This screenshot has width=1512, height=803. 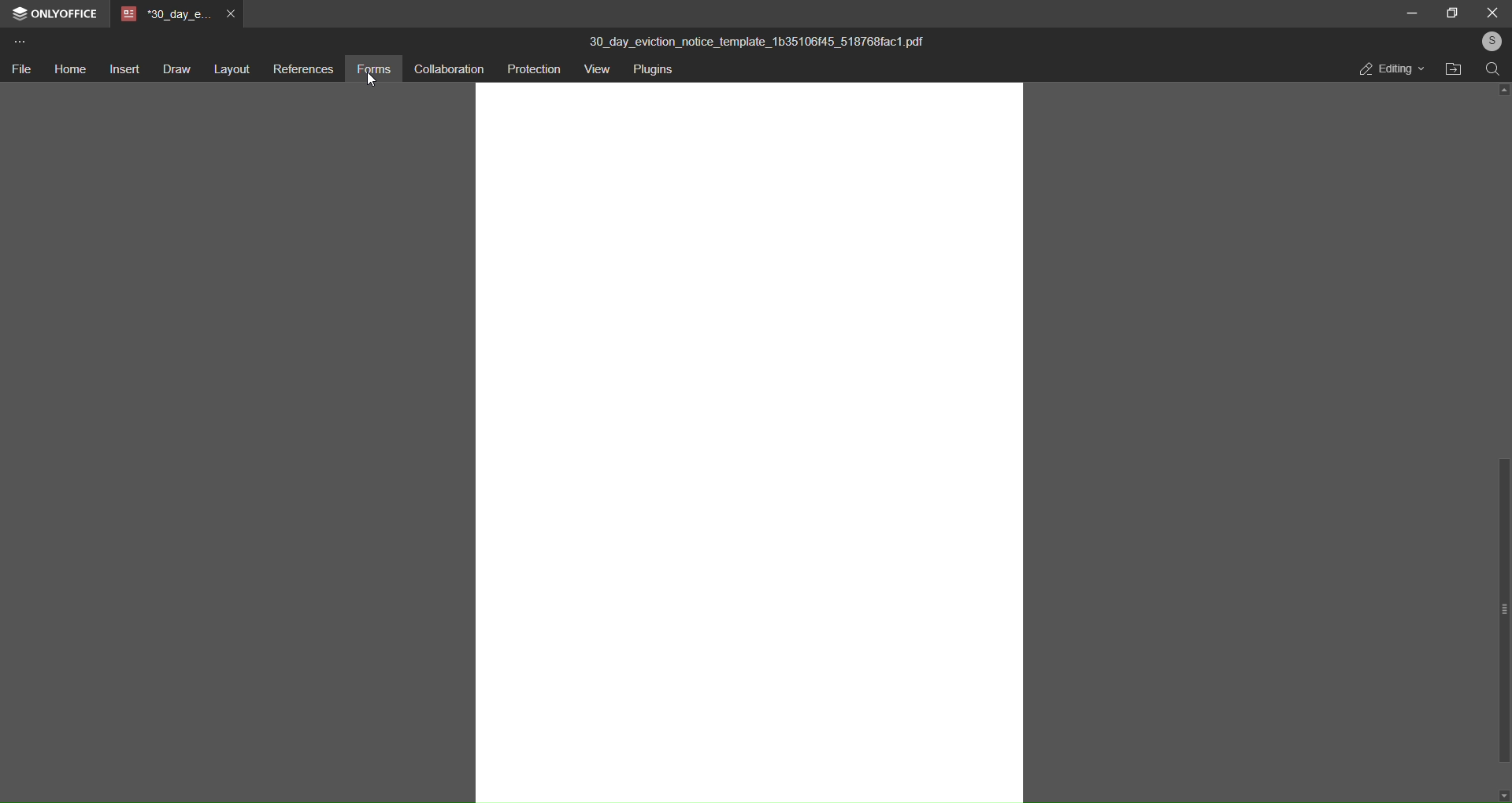 I want to click on 30_day_eviction_notice_template_1b35106f45_518768fac1.pdf, so click(x=762, y=41).